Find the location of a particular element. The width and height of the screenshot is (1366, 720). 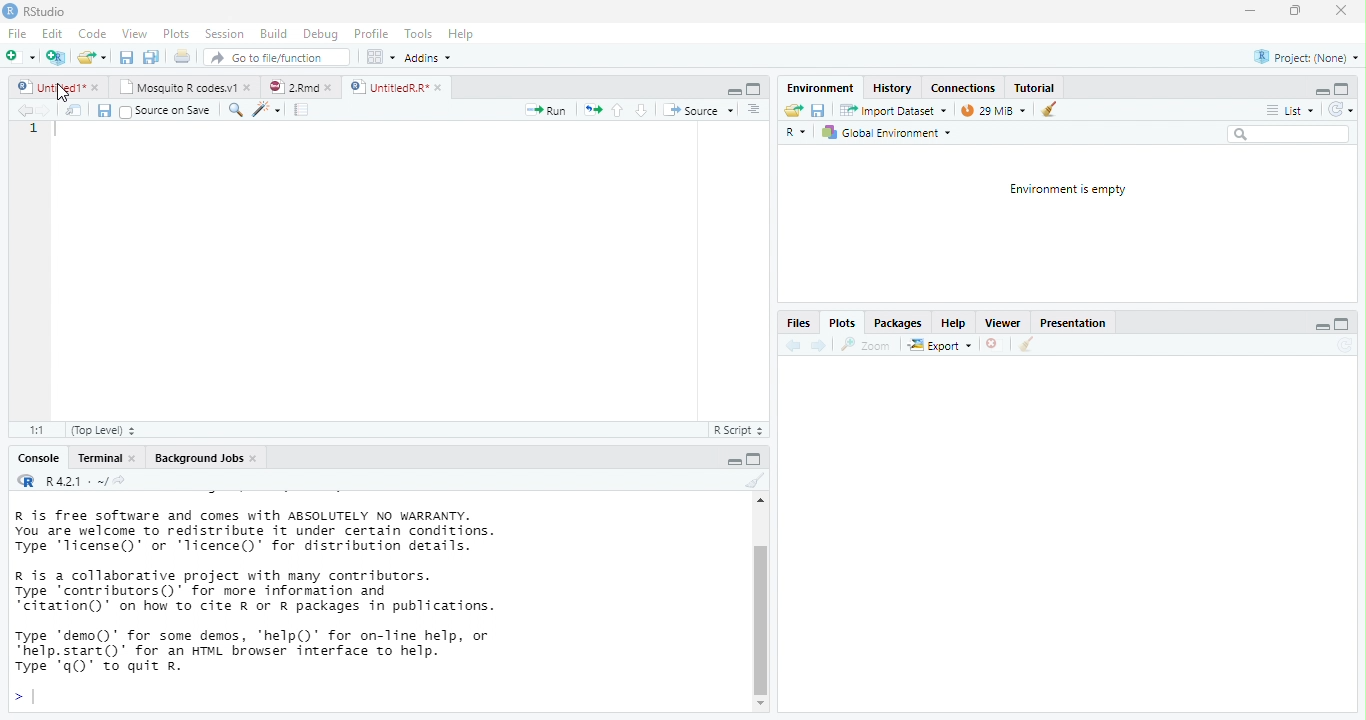

close is located at coordinates (256, 459).